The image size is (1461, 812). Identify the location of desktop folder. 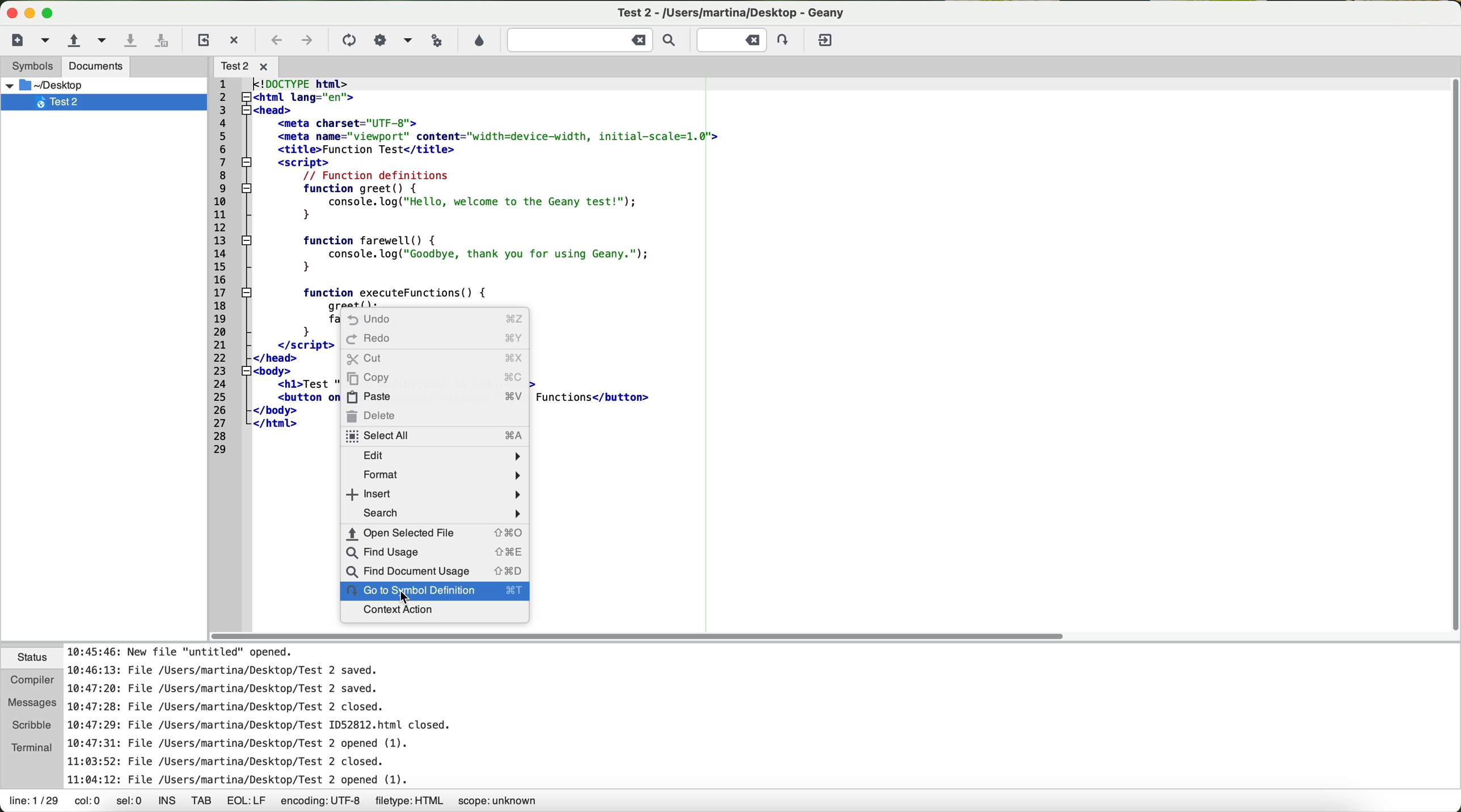
(99, 85).